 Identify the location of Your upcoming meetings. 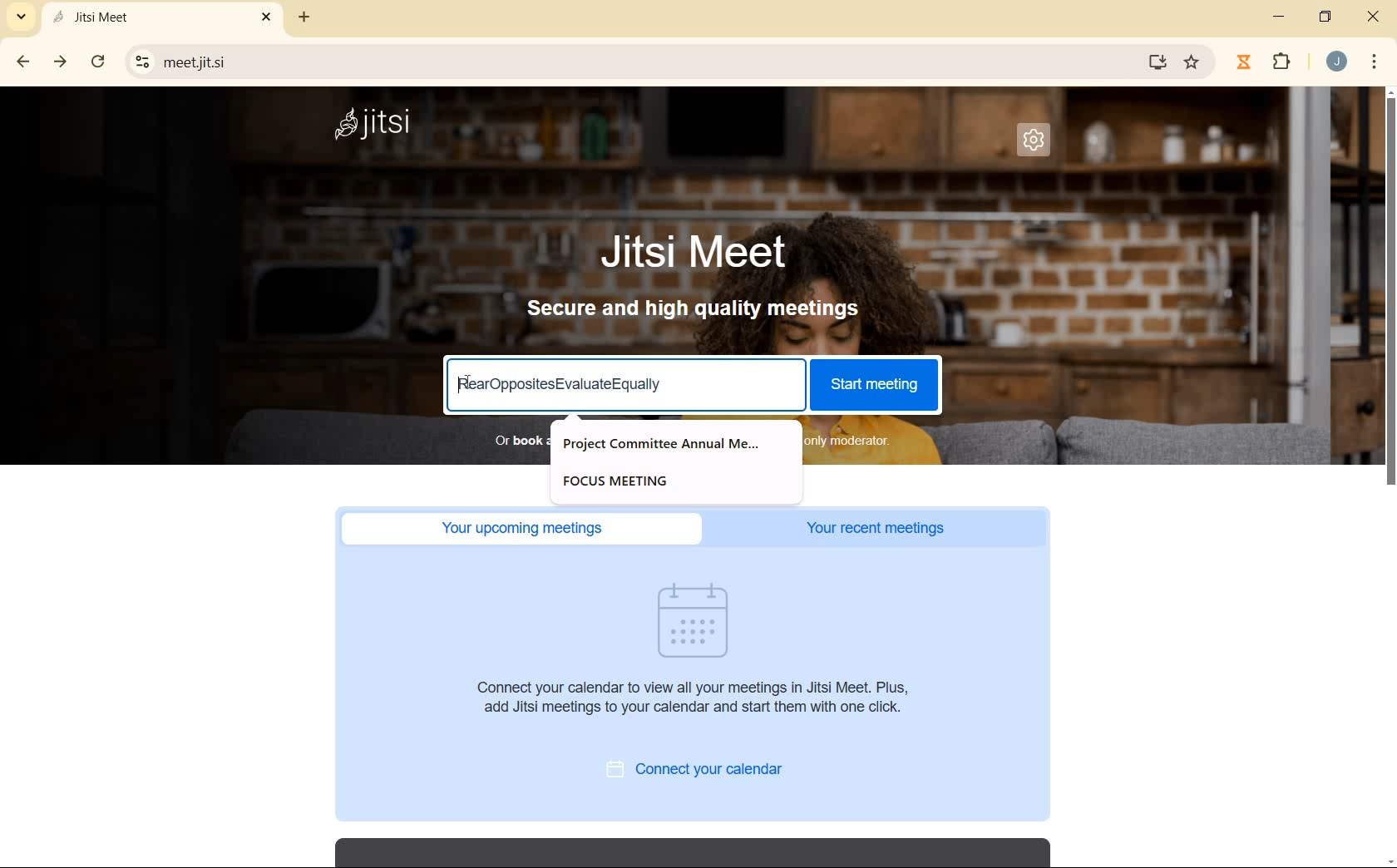
(526, 528).